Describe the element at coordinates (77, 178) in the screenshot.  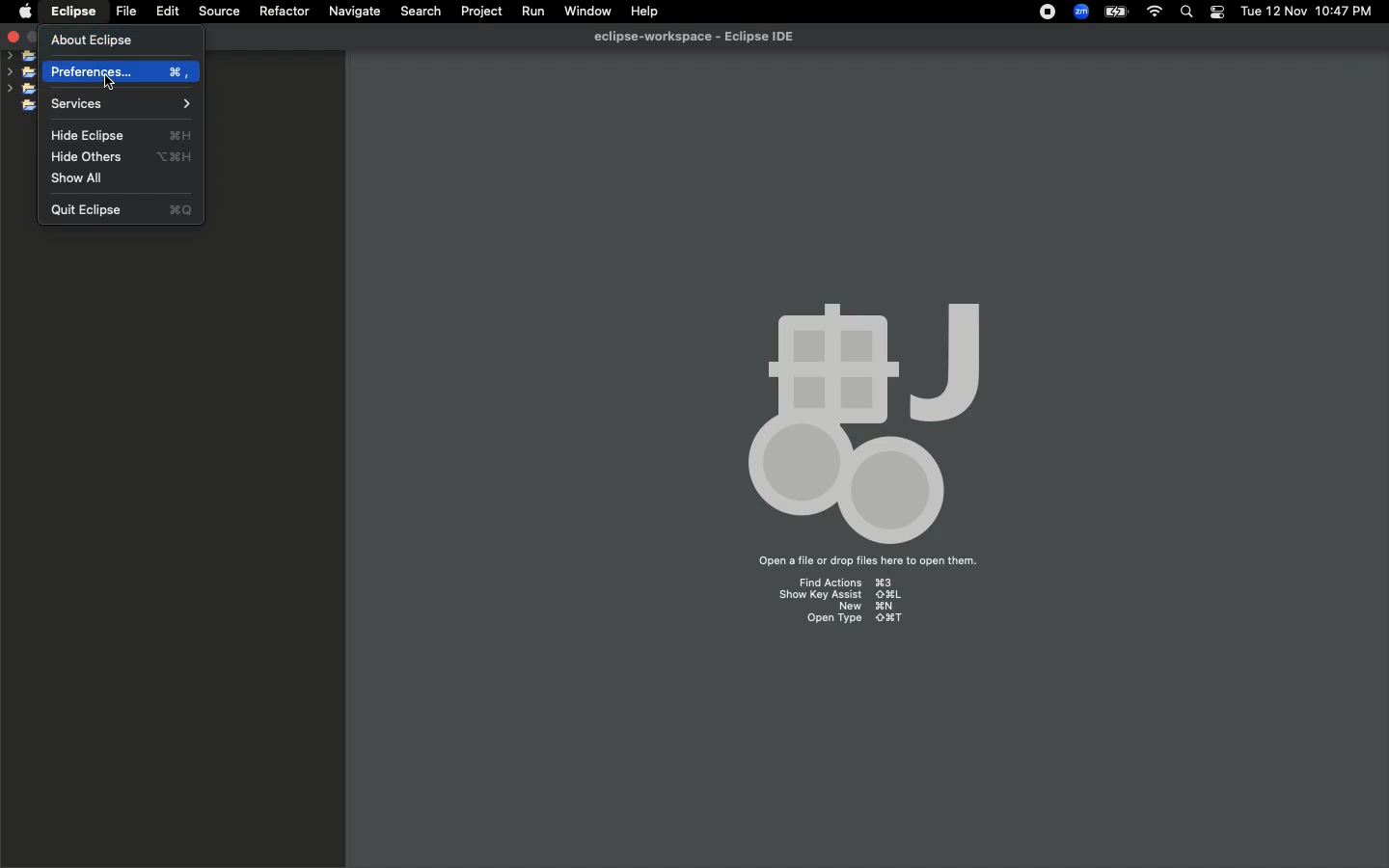
I see `Show all` at that location.